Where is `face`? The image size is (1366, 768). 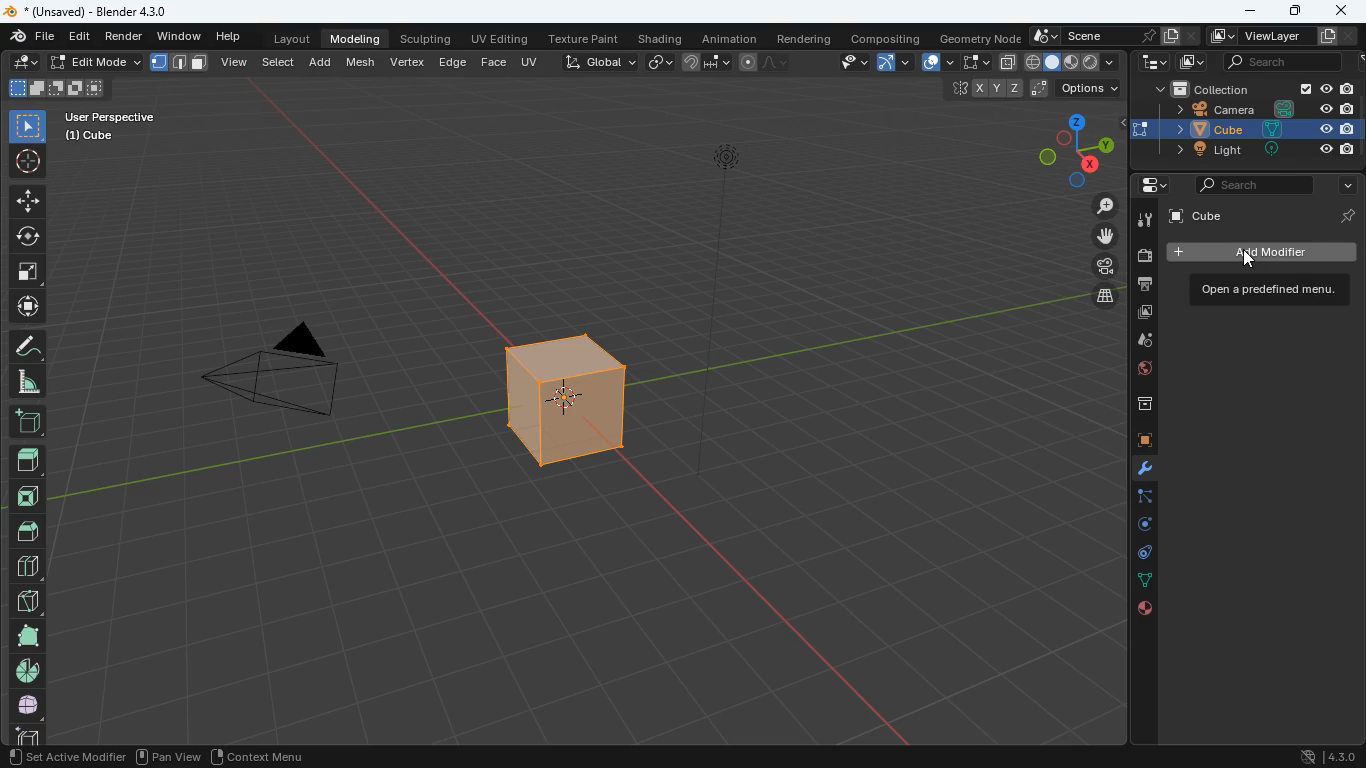
face is located at coordinates (493, 63).